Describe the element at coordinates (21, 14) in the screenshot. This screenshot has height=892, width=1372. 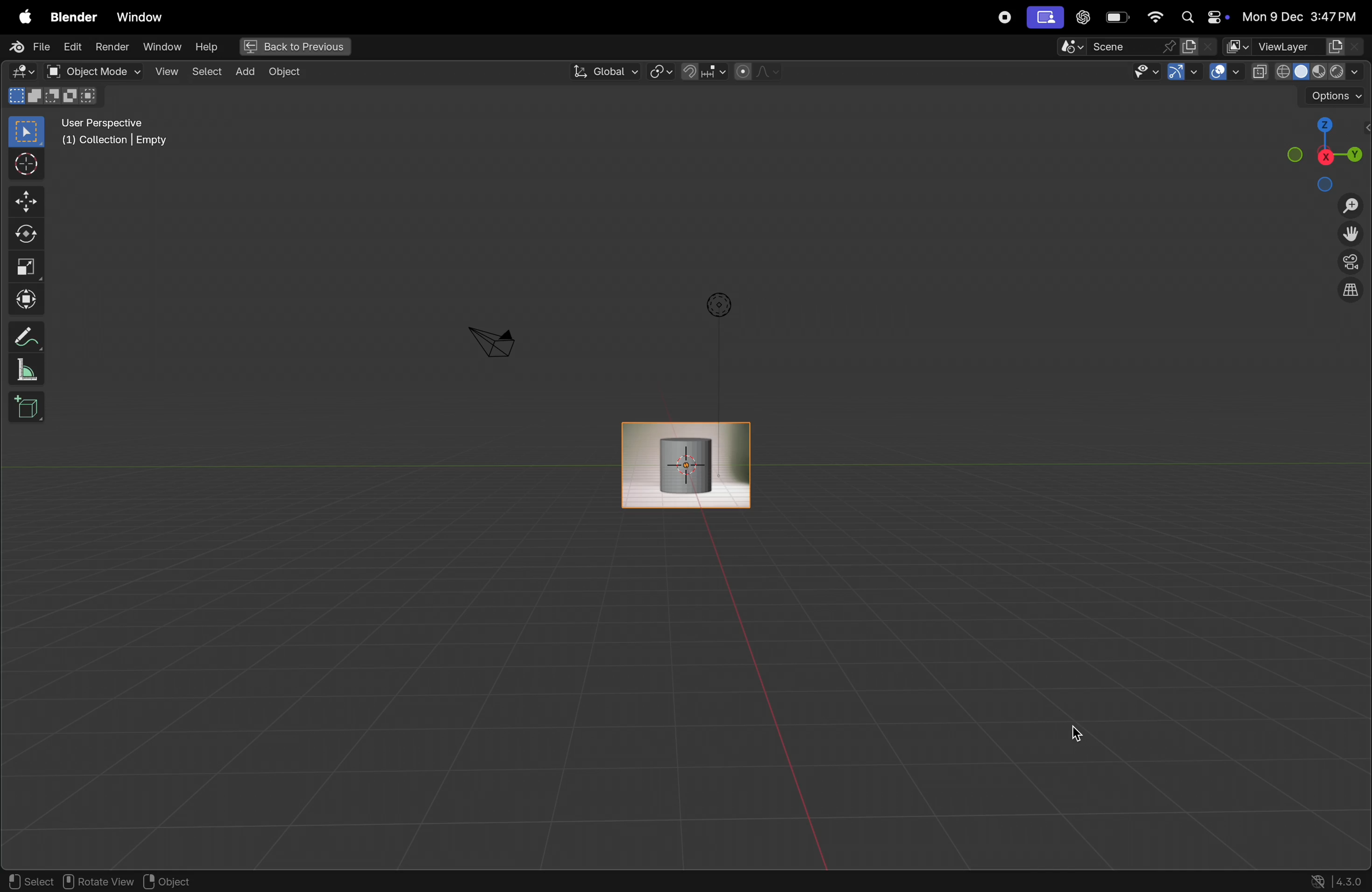
I see `Apple menu` at that location.